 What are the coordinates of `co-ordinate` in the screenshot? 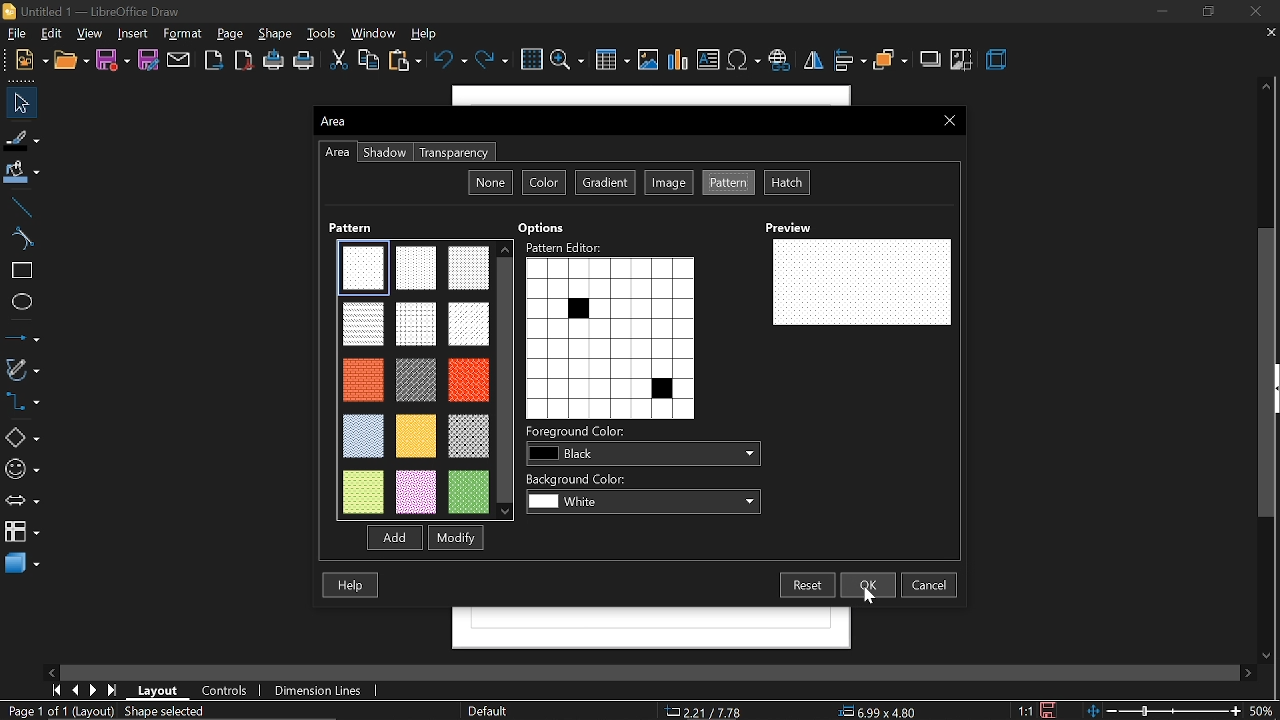 It's located at (706, 712).